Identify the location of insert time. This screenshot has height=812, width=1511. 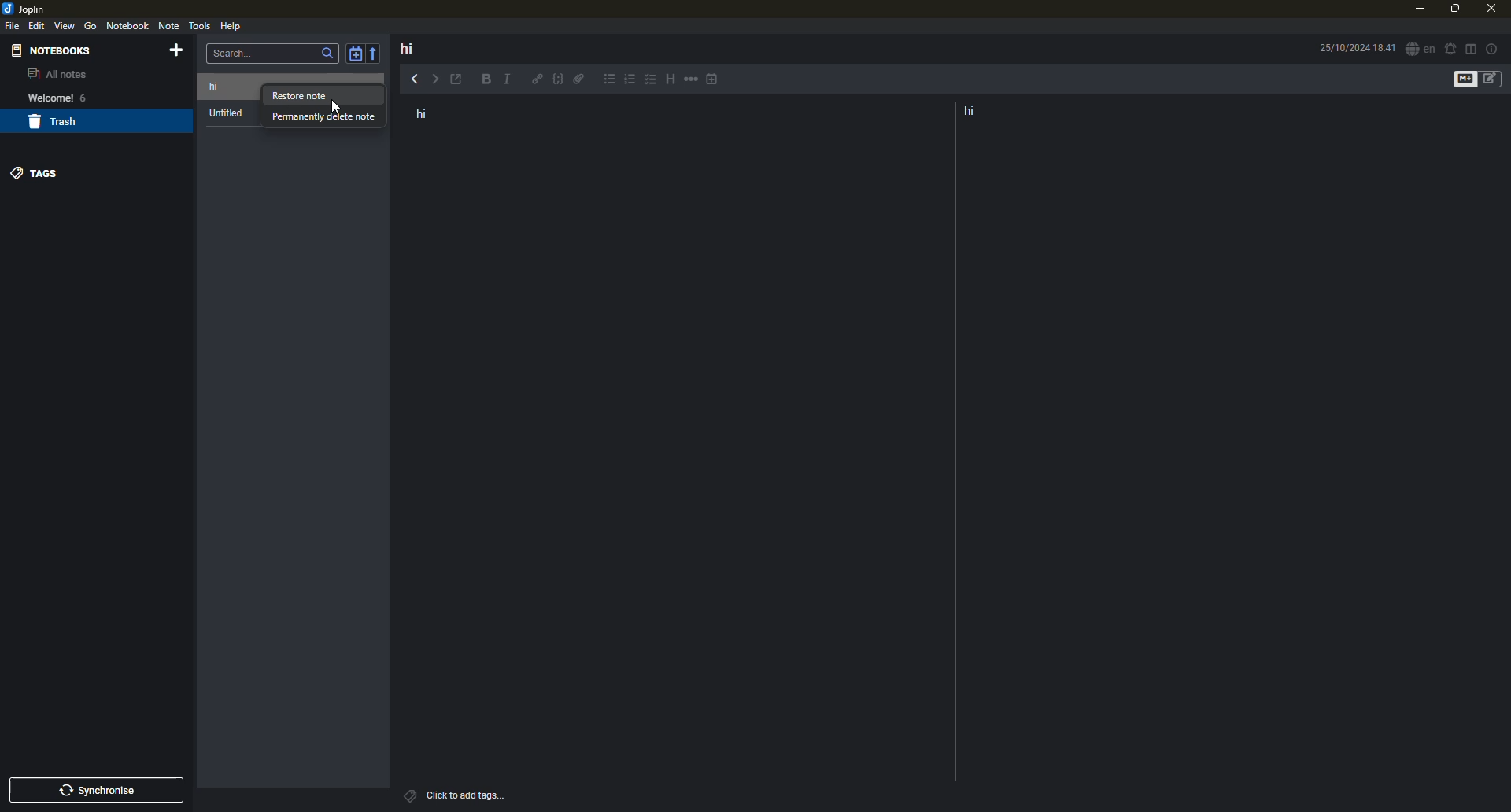
(715, 80).